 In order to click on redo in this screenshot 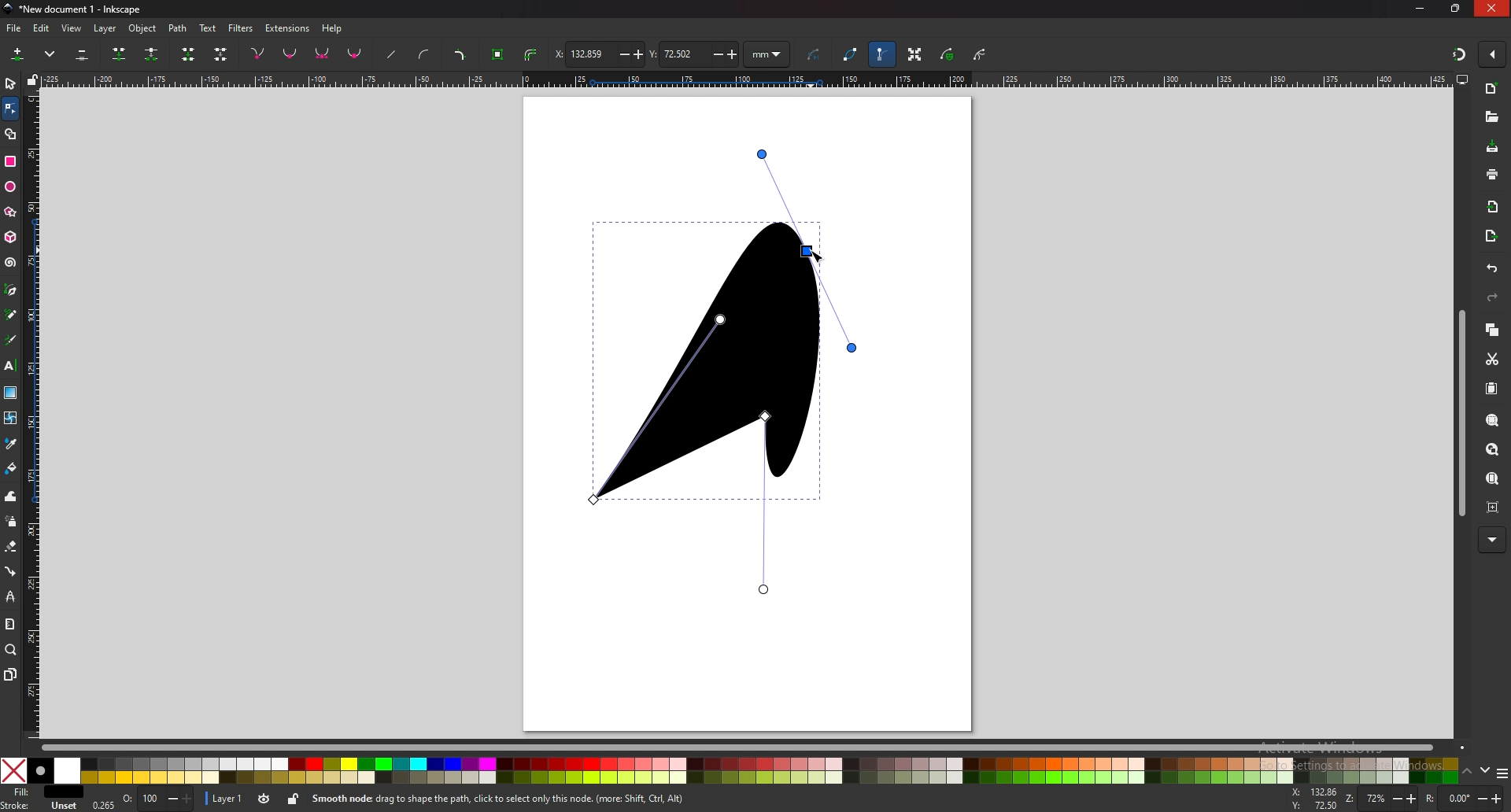, I will do `click(1492, 297)`.